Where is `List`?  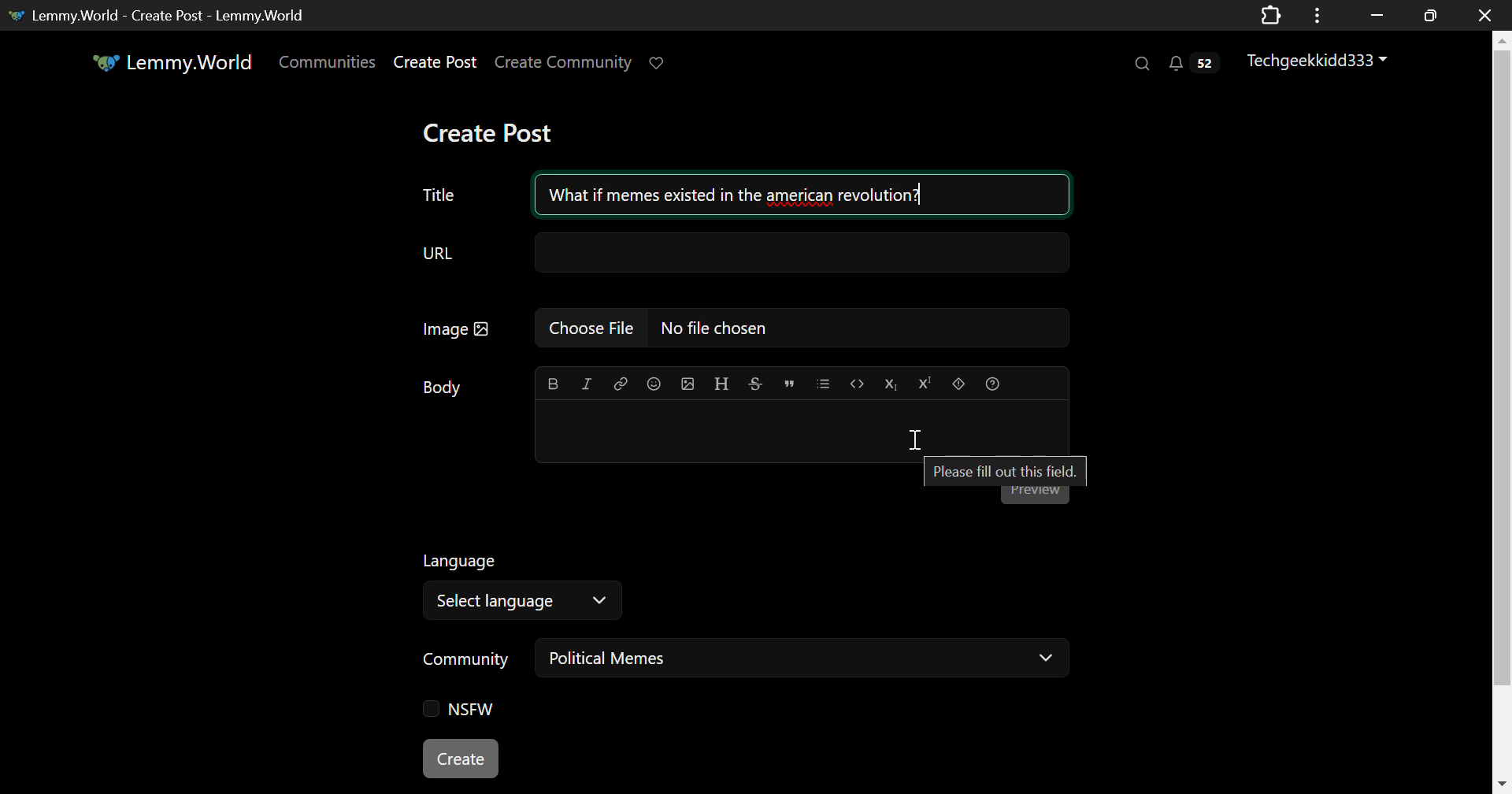 List is located at coordinates (824, 383).